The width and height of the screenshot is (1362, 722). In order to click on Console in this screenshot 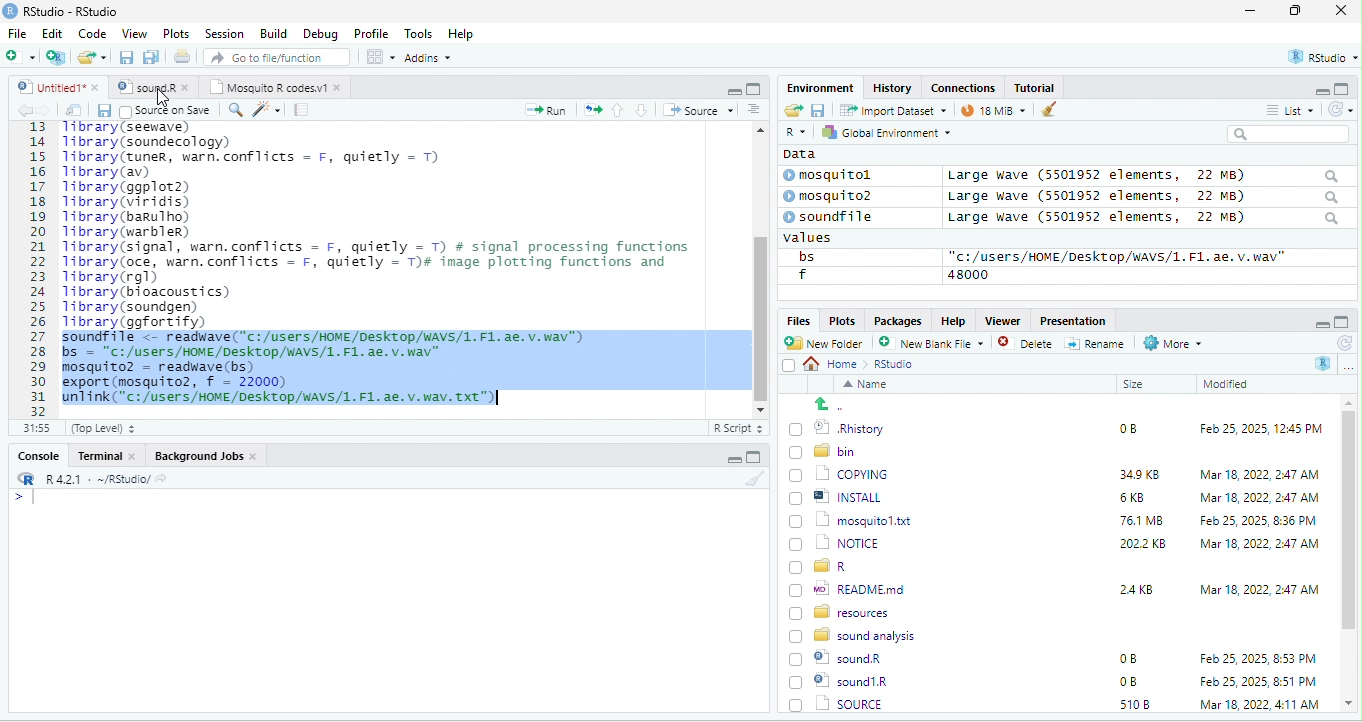, I will do `click(37, 454)`.